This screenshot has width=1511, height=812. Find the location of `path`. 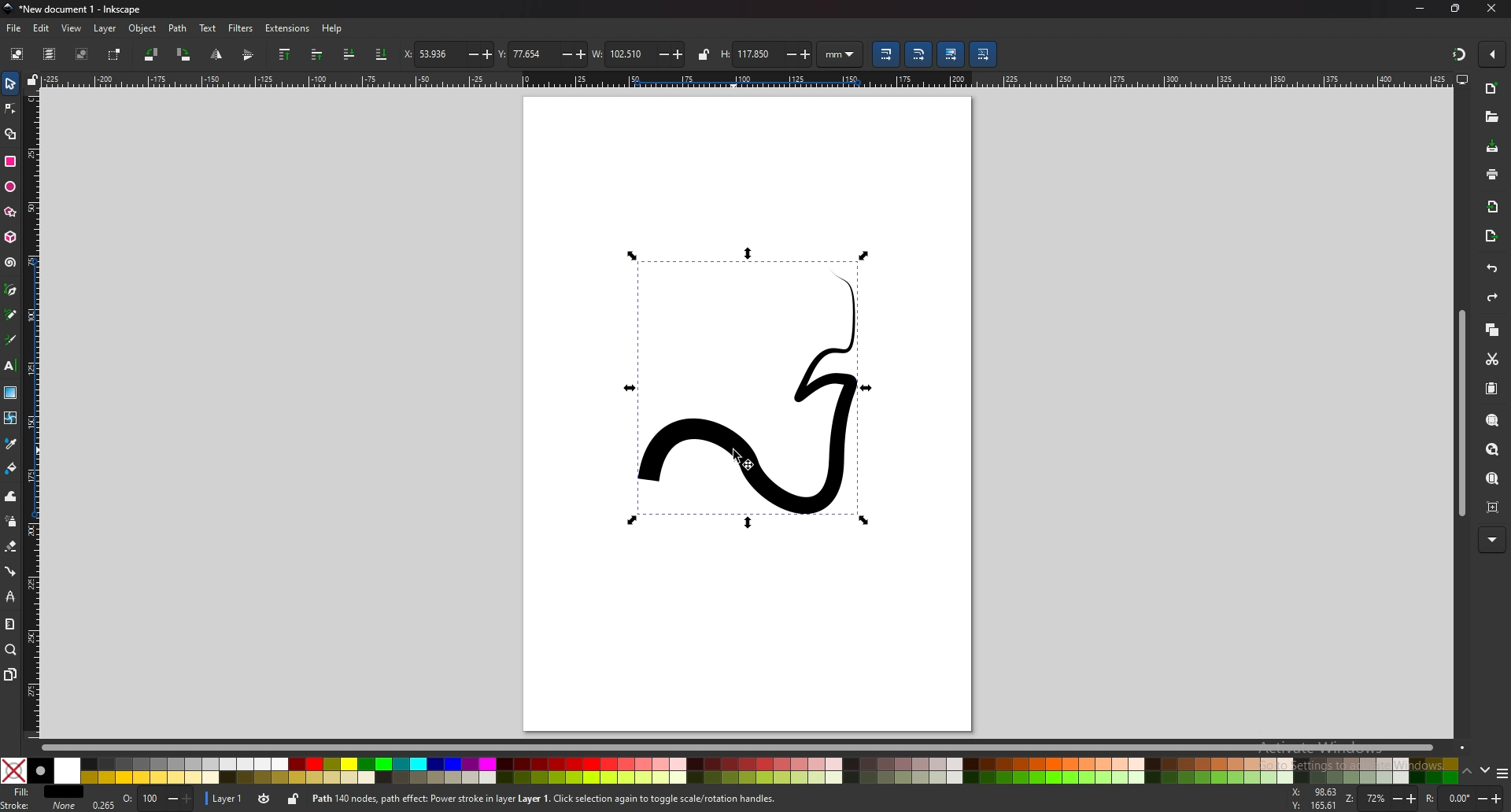

path is located at coordinates (179, 28).